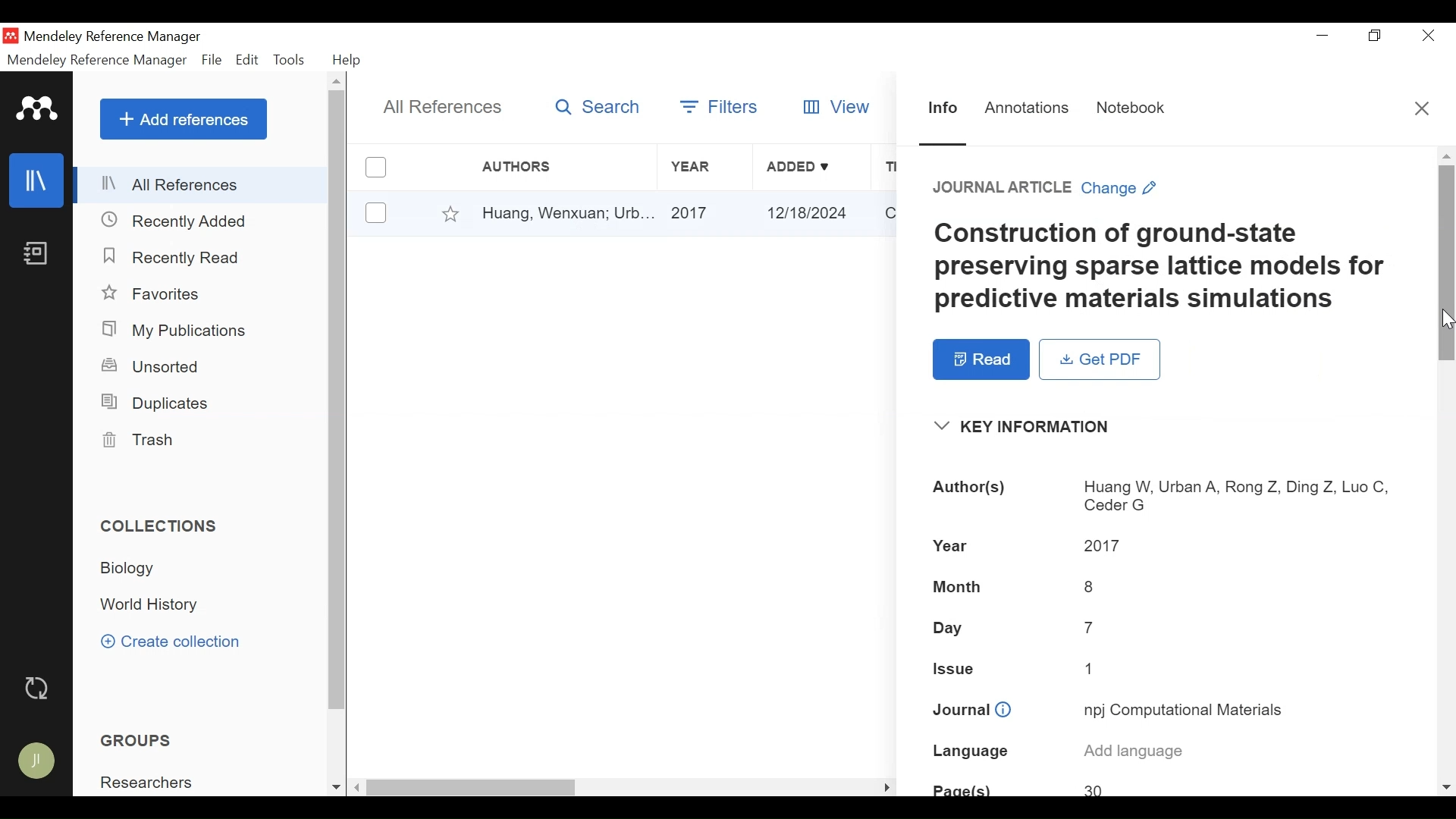 The image size is (1456, 819). What do you see at coordinates (170, 641) in the screenshot?
I see `Create Collection` at bounding box center [170, 641].